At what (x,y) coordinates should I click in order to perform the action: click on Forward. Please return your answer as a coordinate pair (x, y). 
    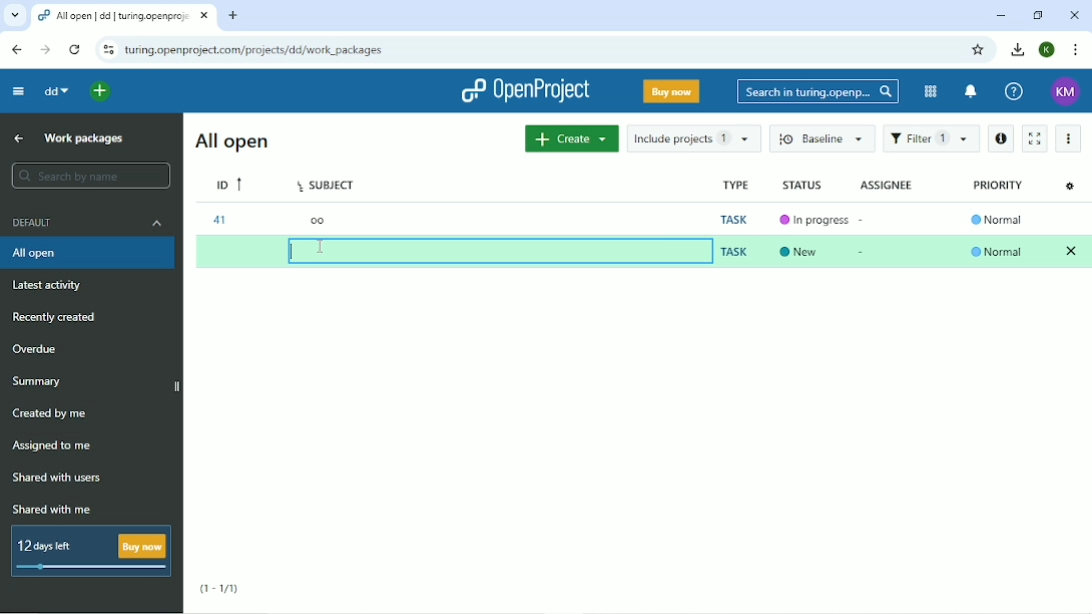
    Looking at the image, I should click on (46, 49).